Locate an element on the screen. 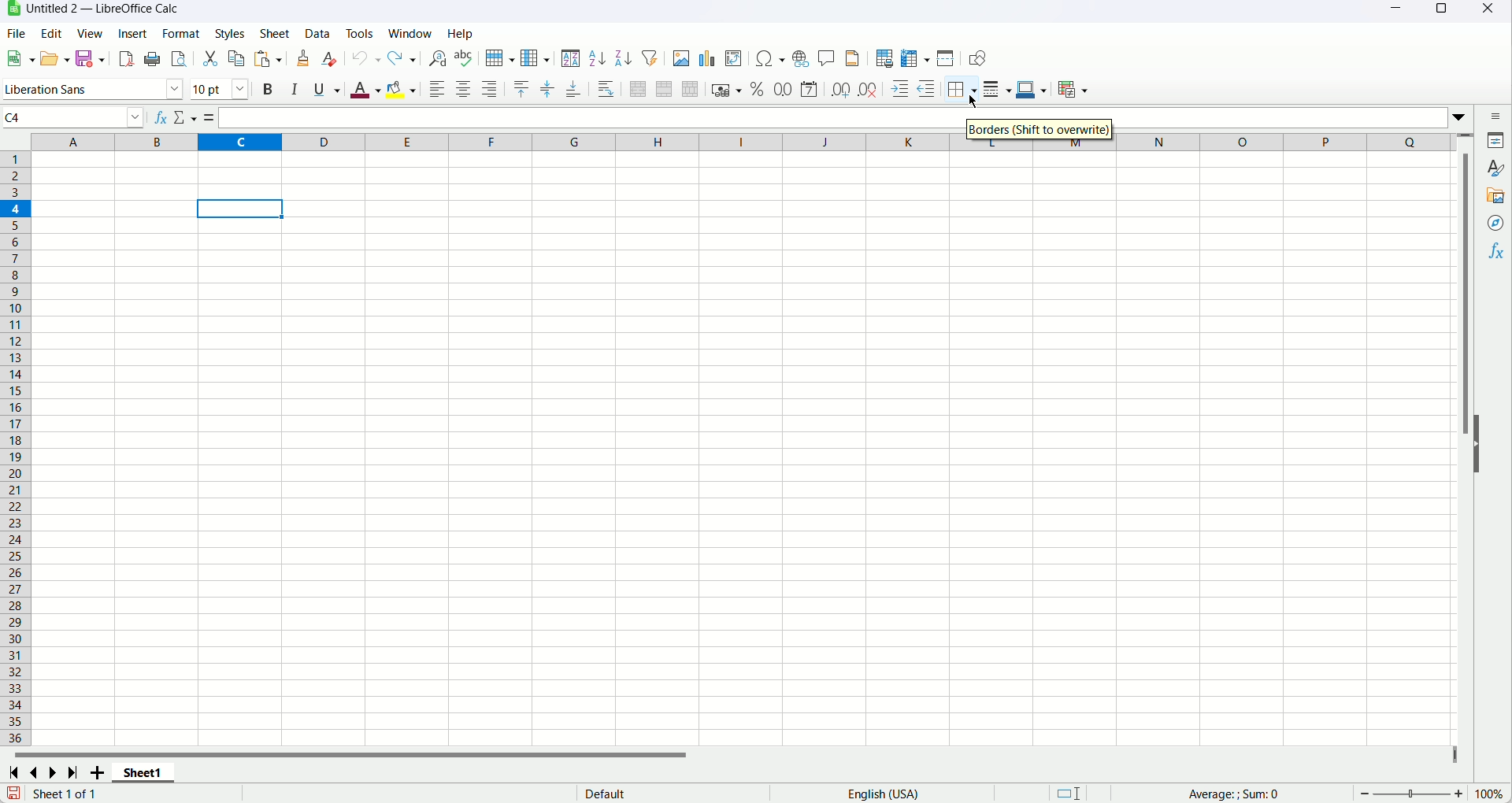 This screenshot has width=1512, height=803. Save changes is located at coordinates (11, 792).